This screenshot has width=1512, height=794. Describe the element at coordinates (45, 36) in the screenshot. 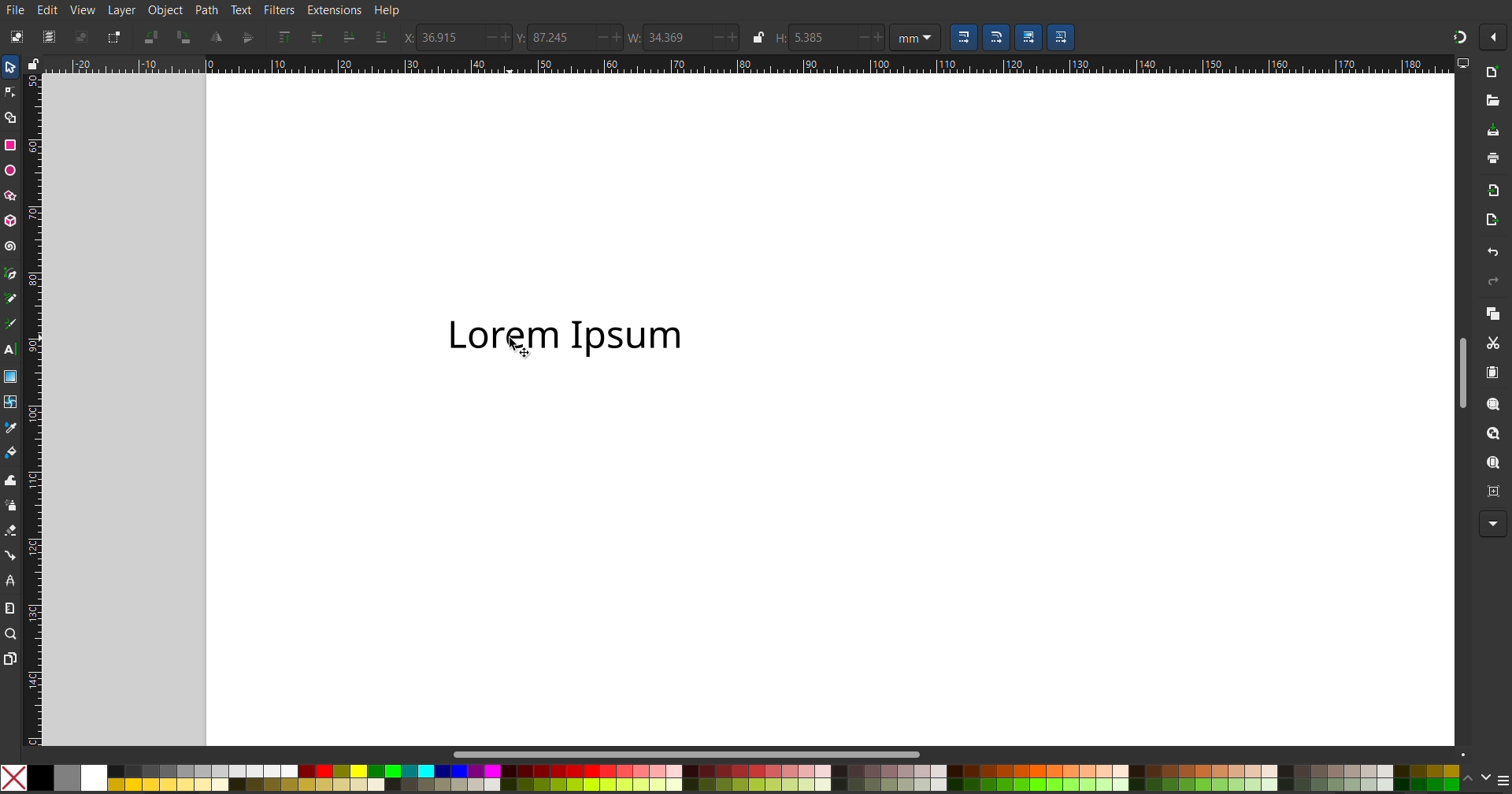

I see `Select All` at that location.